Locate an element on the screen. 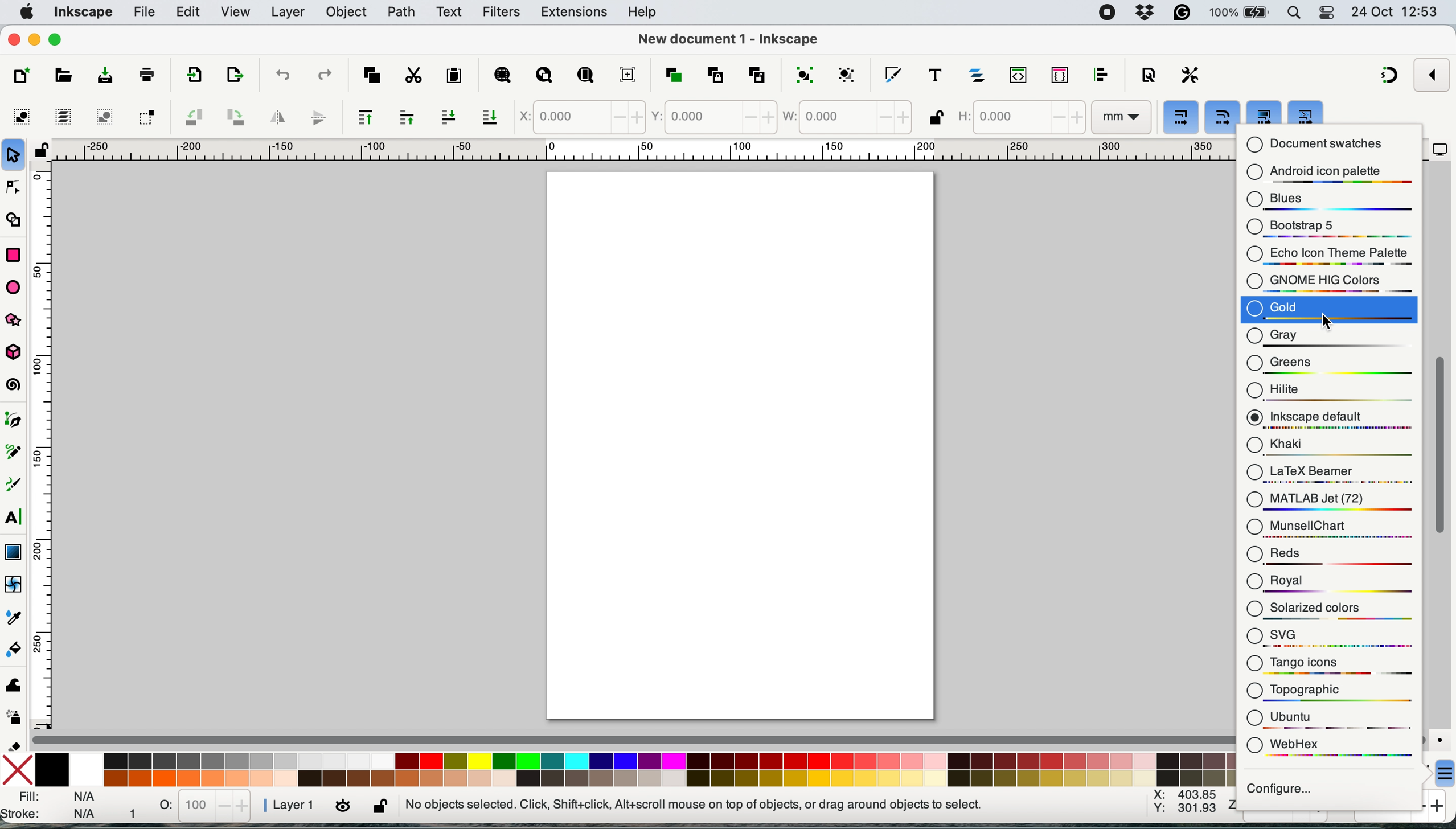 Image resolution: width=1456 pixels, height=829 pixels. cursor is located at coordinates (1327, 321).